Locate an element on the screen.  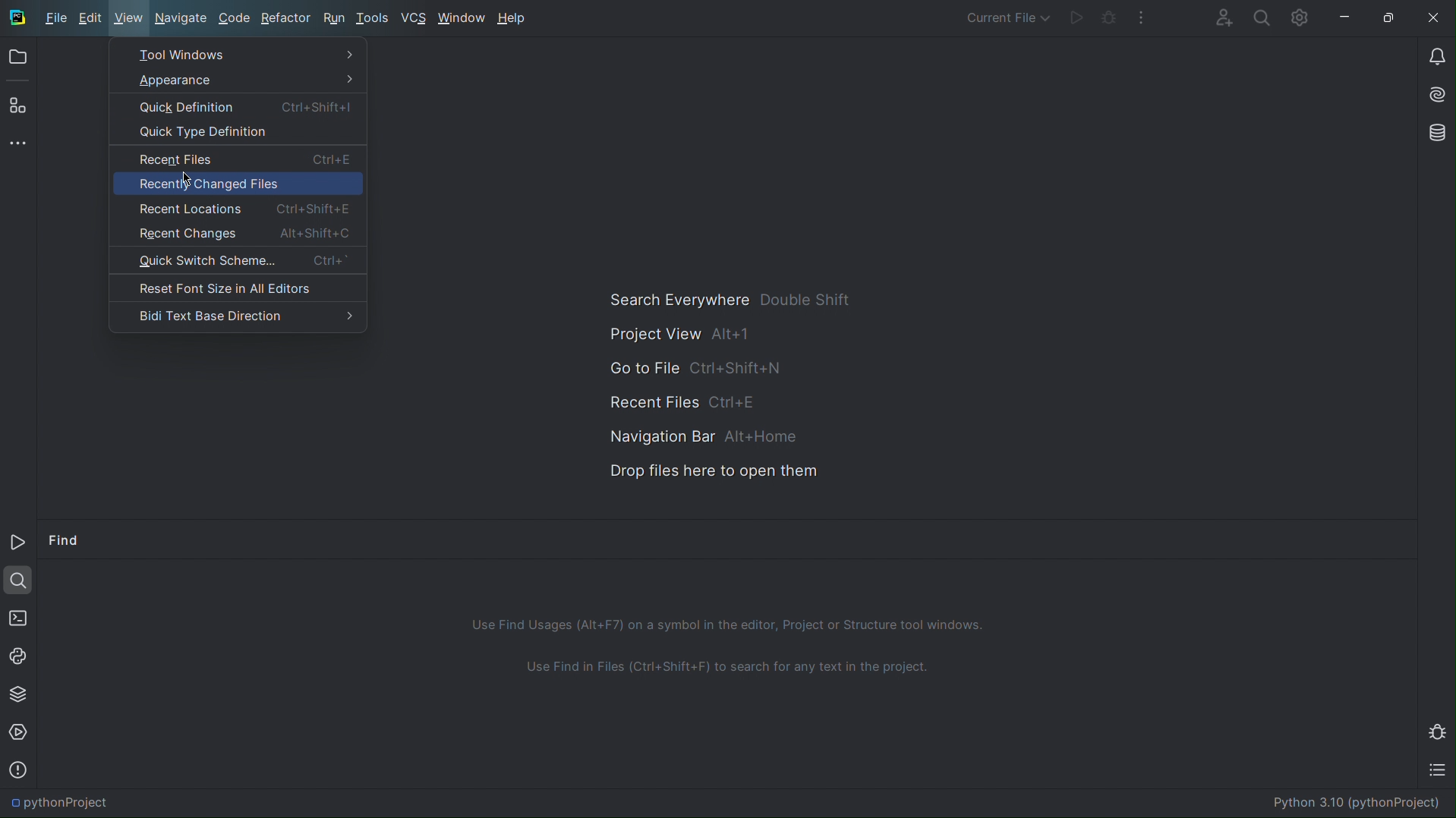
Code is located at coordinates (232, 19).